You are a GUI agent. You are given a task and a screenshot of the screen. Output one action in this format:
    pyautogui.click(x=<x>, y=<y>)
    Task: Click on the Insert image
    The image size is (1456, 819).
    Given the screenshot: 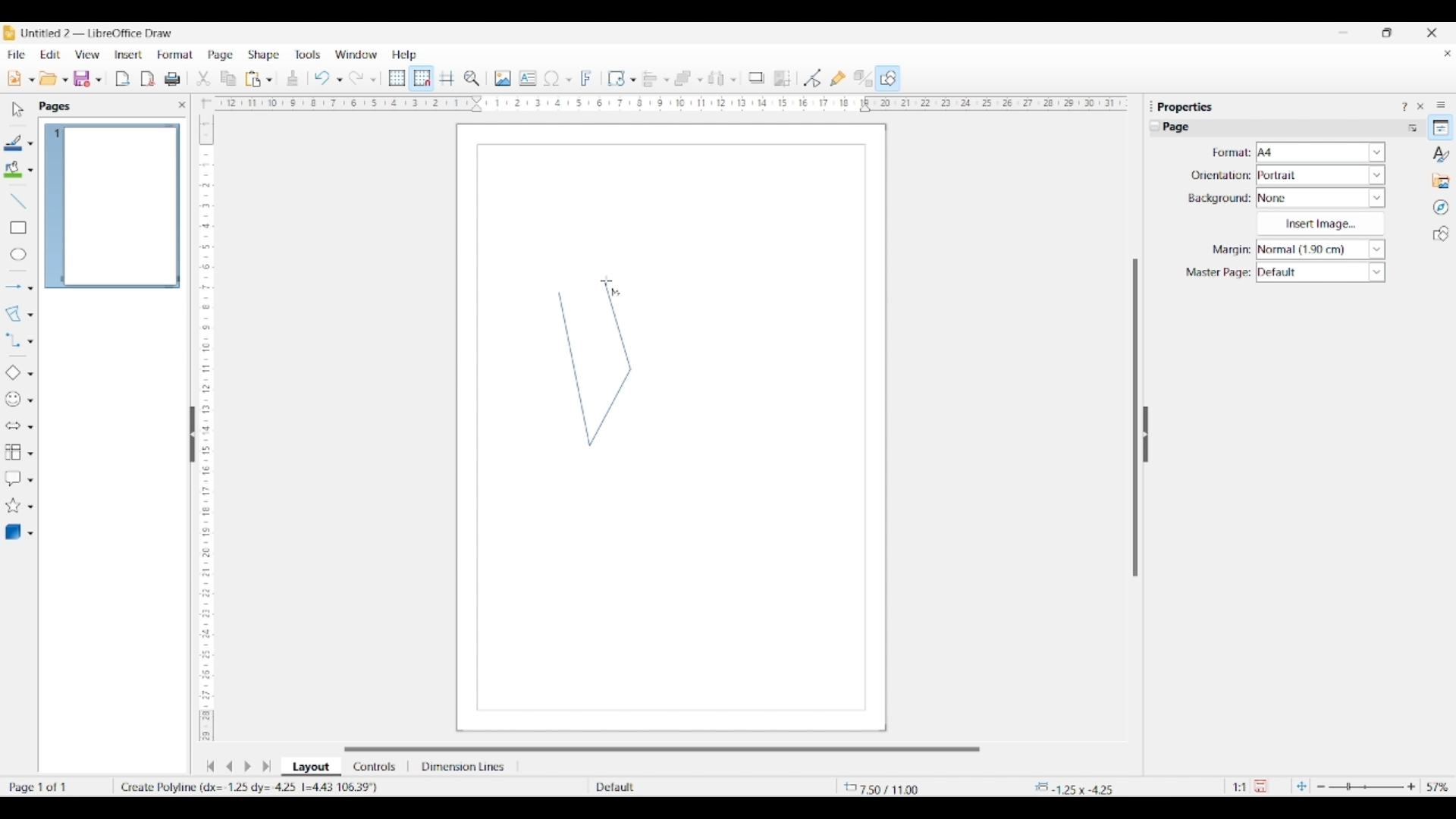 What is the action you would take?
    pyautogui.click(x=503, y=78)
    